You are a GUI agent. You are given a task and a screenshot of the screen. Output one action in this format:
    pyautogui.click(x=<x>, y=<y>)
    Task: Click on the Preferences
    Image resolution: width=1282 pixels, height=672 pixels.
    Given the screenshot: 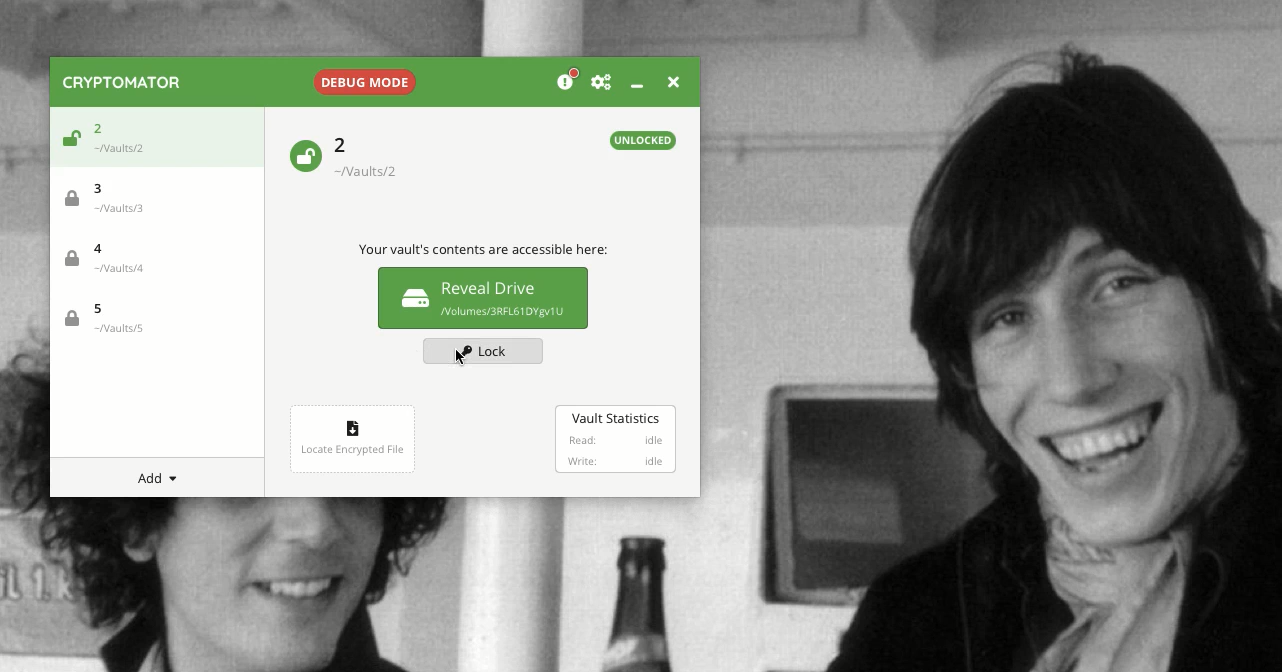 What is the action you would take?
    pyautogui.click(x=601, y=83)
    